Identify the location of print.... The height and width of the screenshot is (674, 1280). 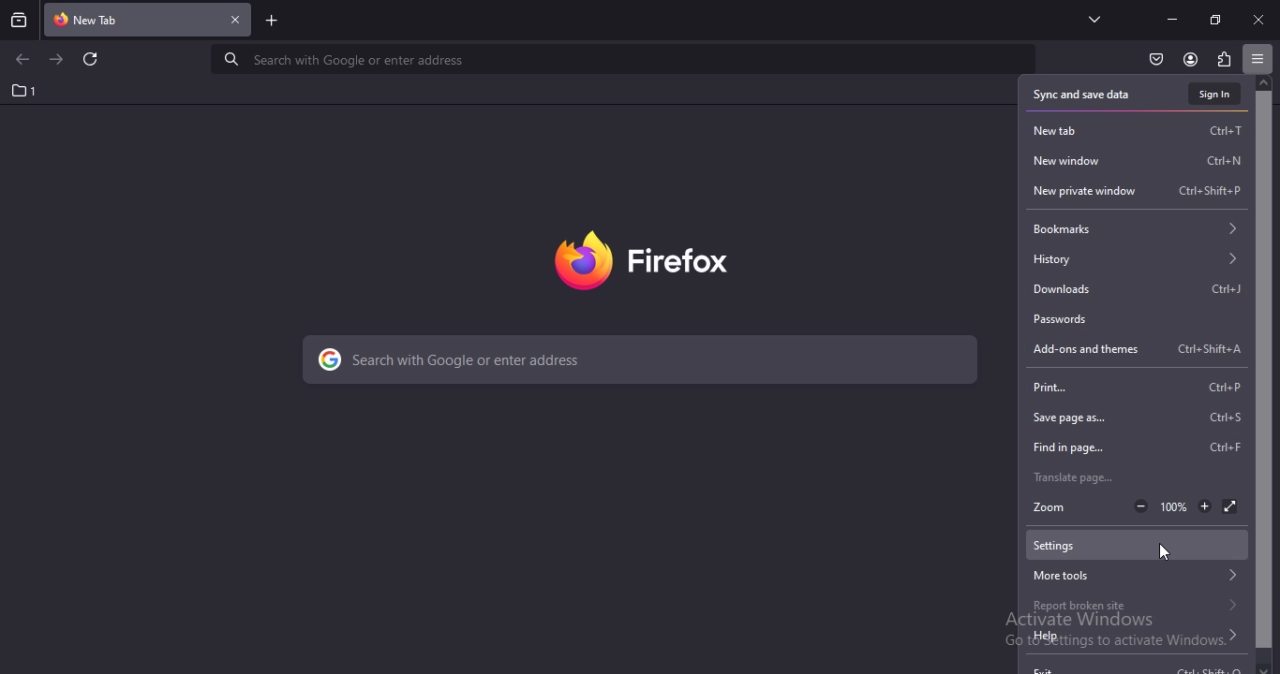
(1141, 389).